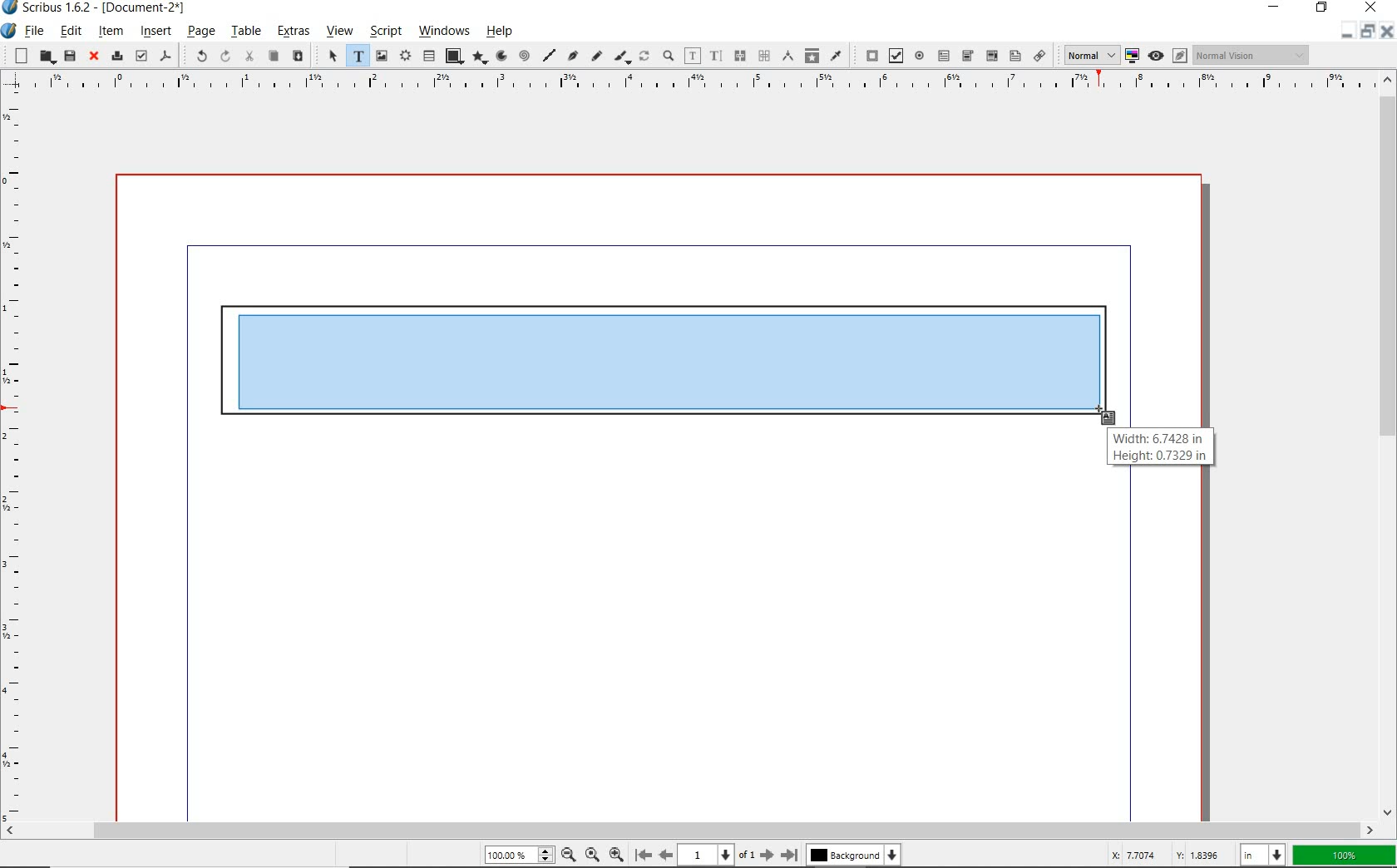 This screenshot has width=1397, height=868. Describe the element at coordinates (944, 56) in the screenshot. I see `pdf text field` at that location.